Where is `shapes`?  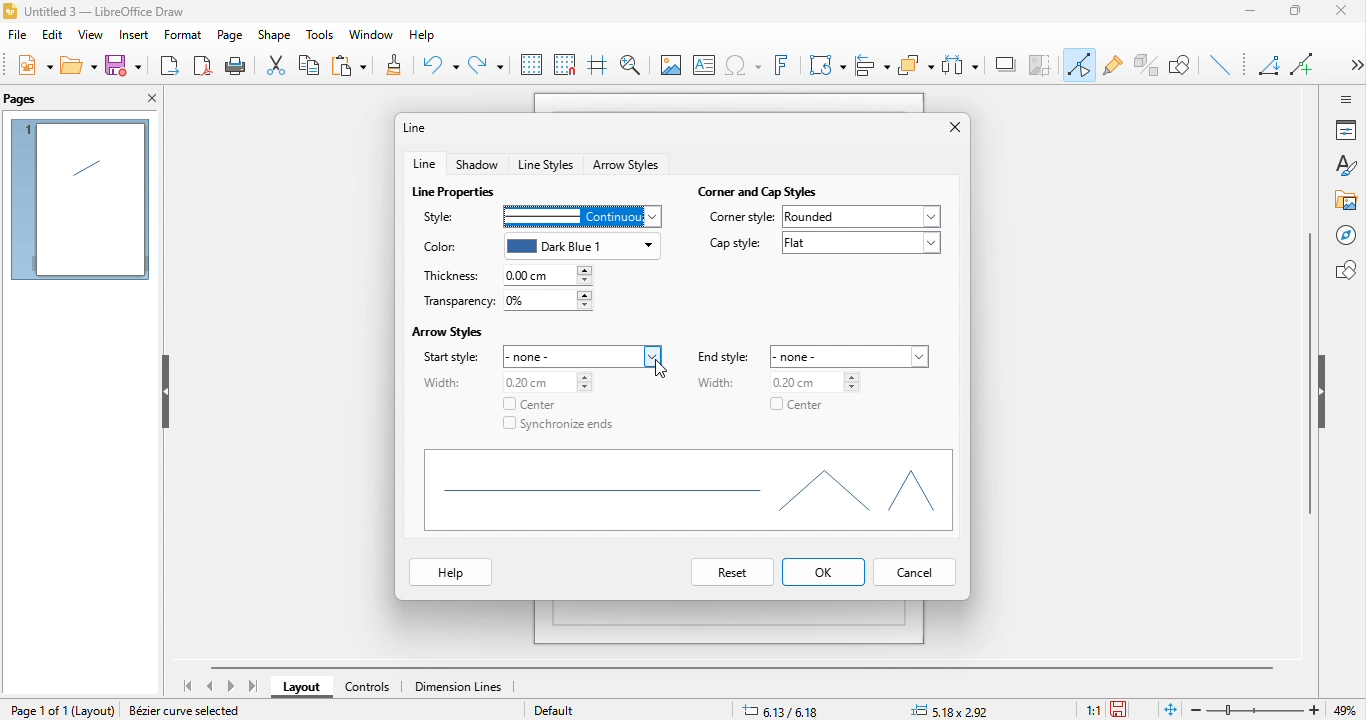
shapes is located at coordinates (1345, 270).